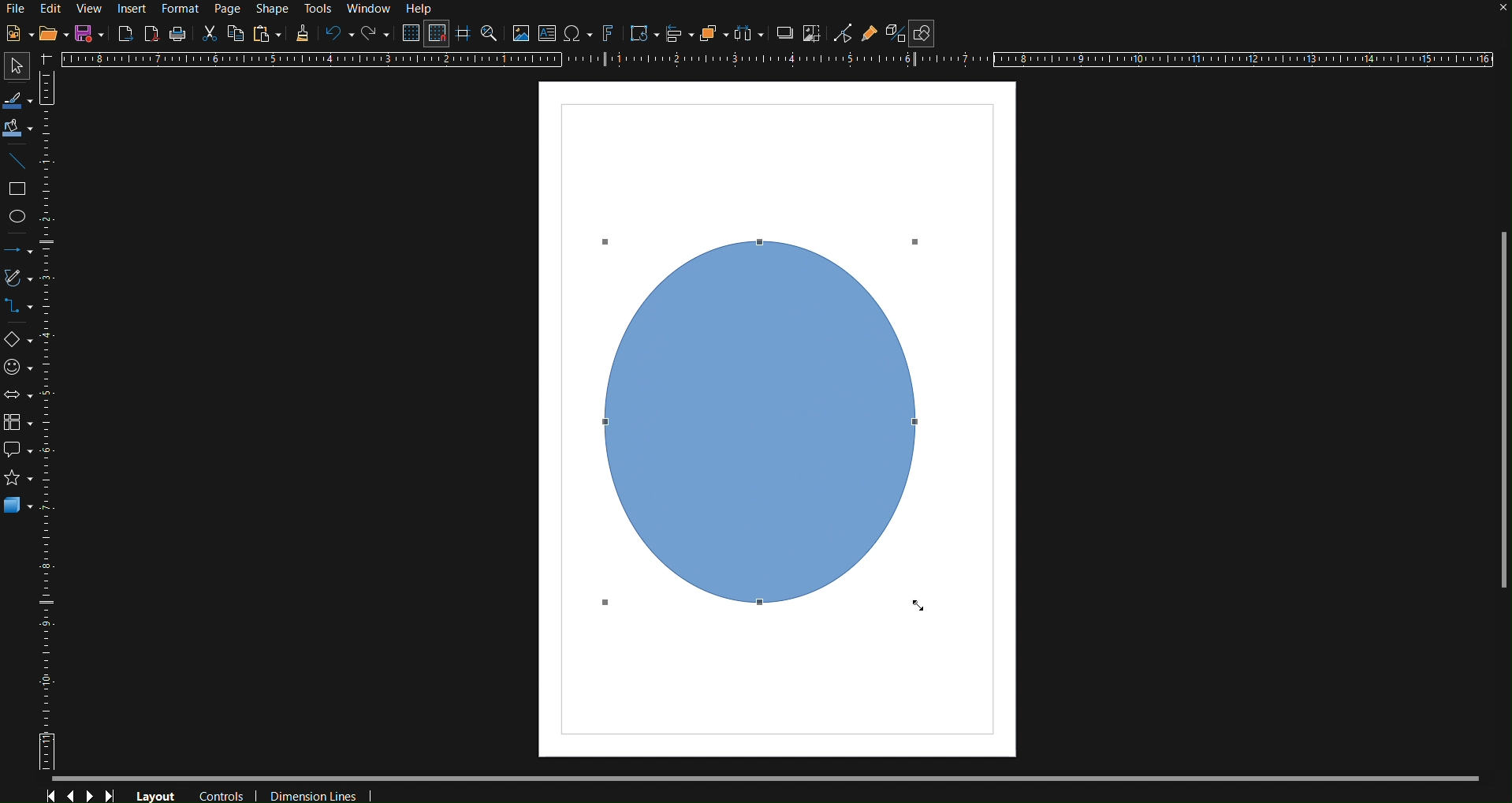  Describe the element at coordinates (23, 249) in the screenshot. I see `Lines and Arrows` at that location.